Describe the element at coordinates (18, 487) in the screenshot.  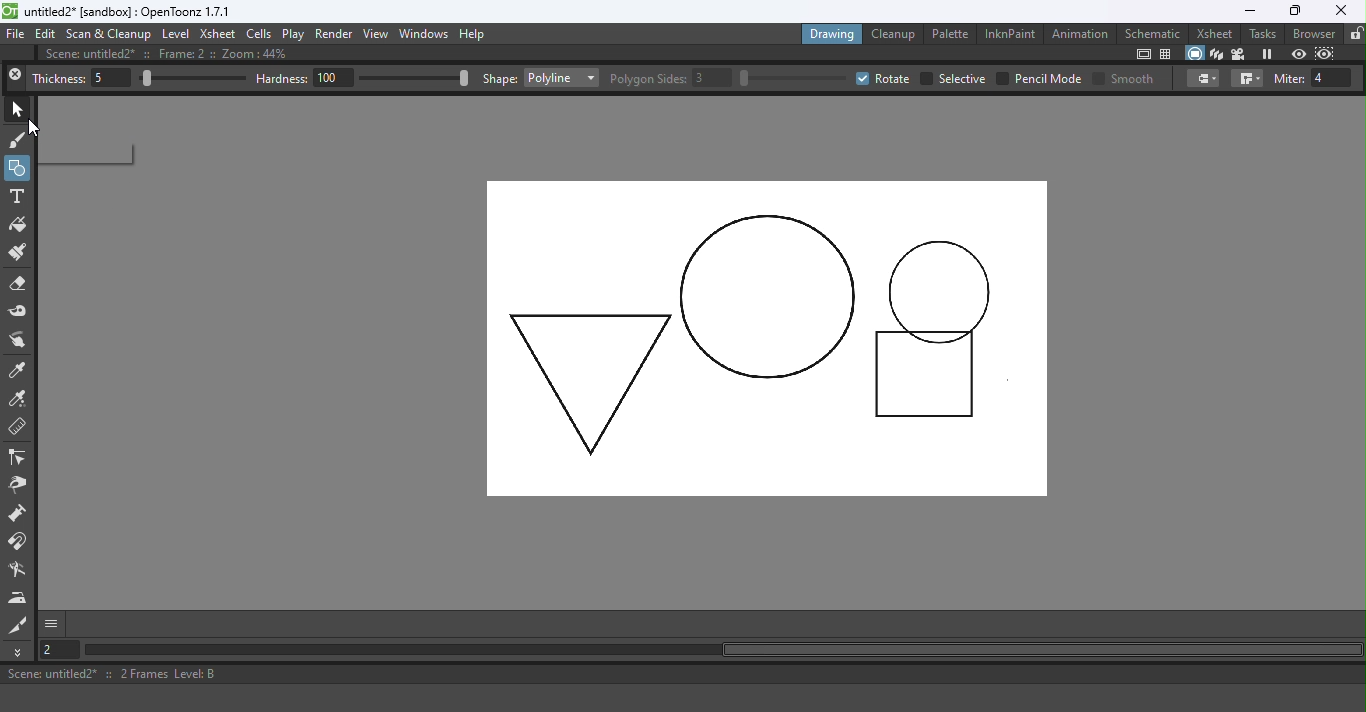
I see `Pinch tool` at that location.